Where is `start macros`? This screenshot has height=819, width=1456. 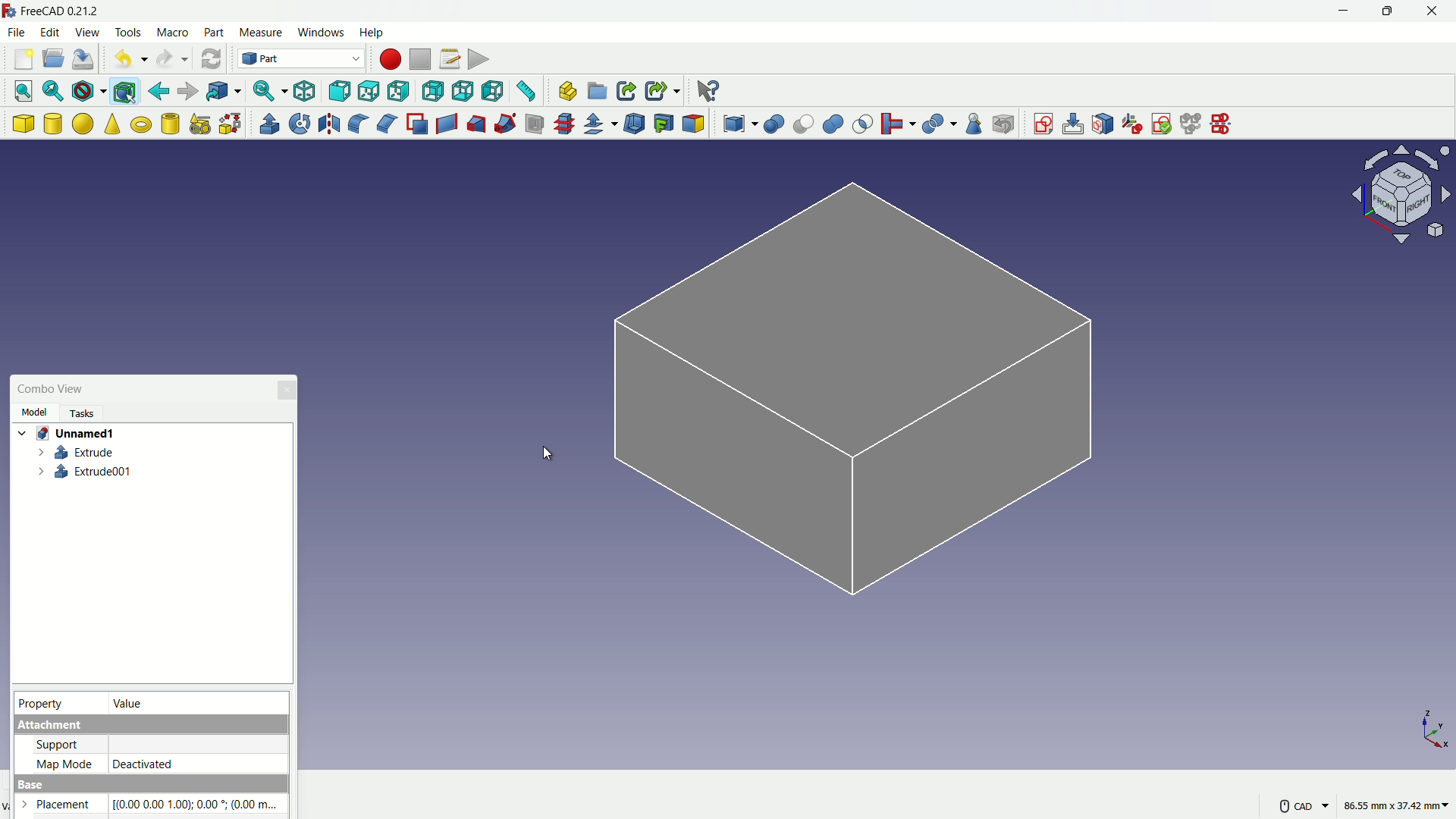 start macros is located at coordinates (391, 59).